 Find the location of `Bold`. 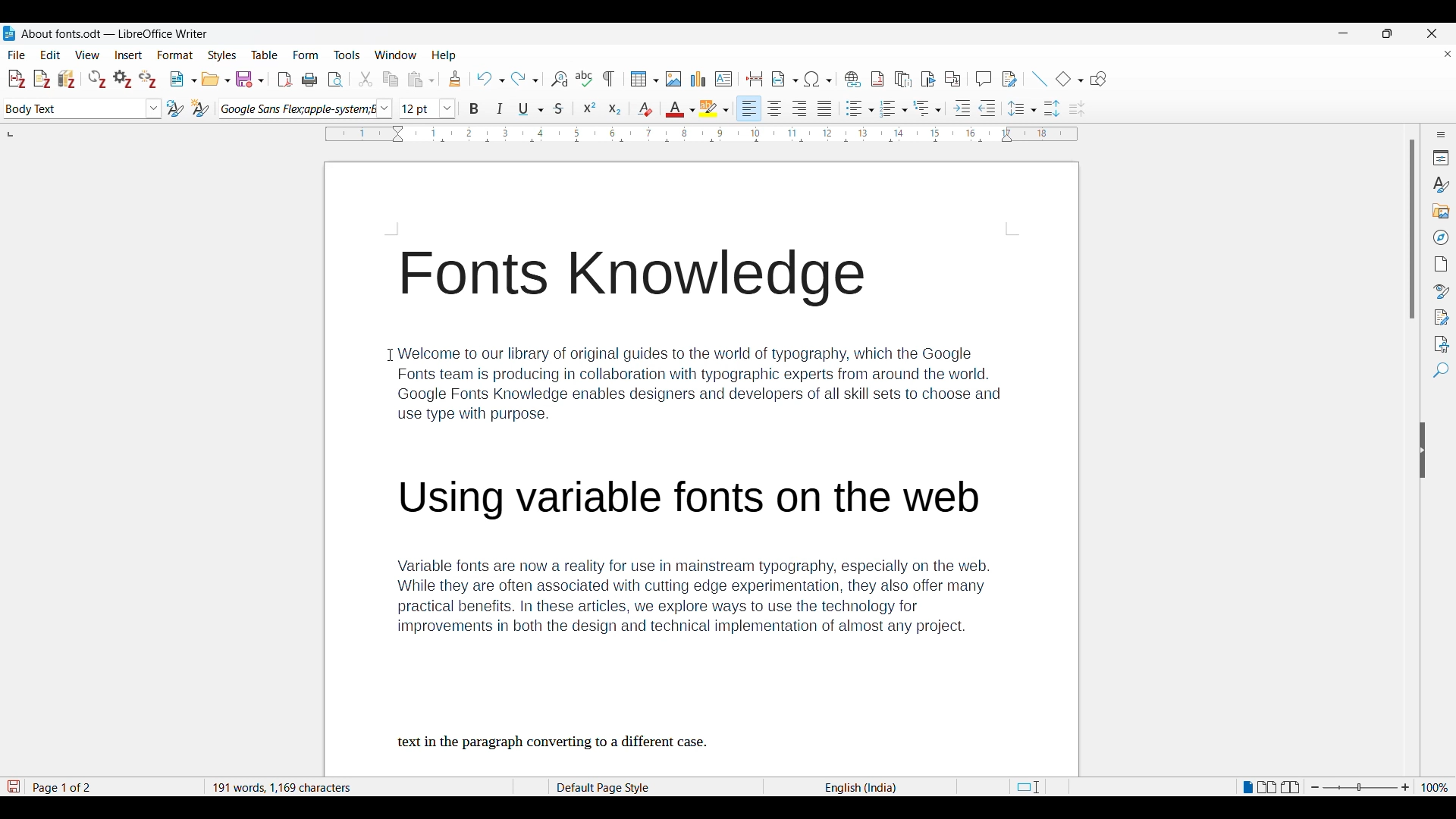

Bold is located at coordinates (473, 108).